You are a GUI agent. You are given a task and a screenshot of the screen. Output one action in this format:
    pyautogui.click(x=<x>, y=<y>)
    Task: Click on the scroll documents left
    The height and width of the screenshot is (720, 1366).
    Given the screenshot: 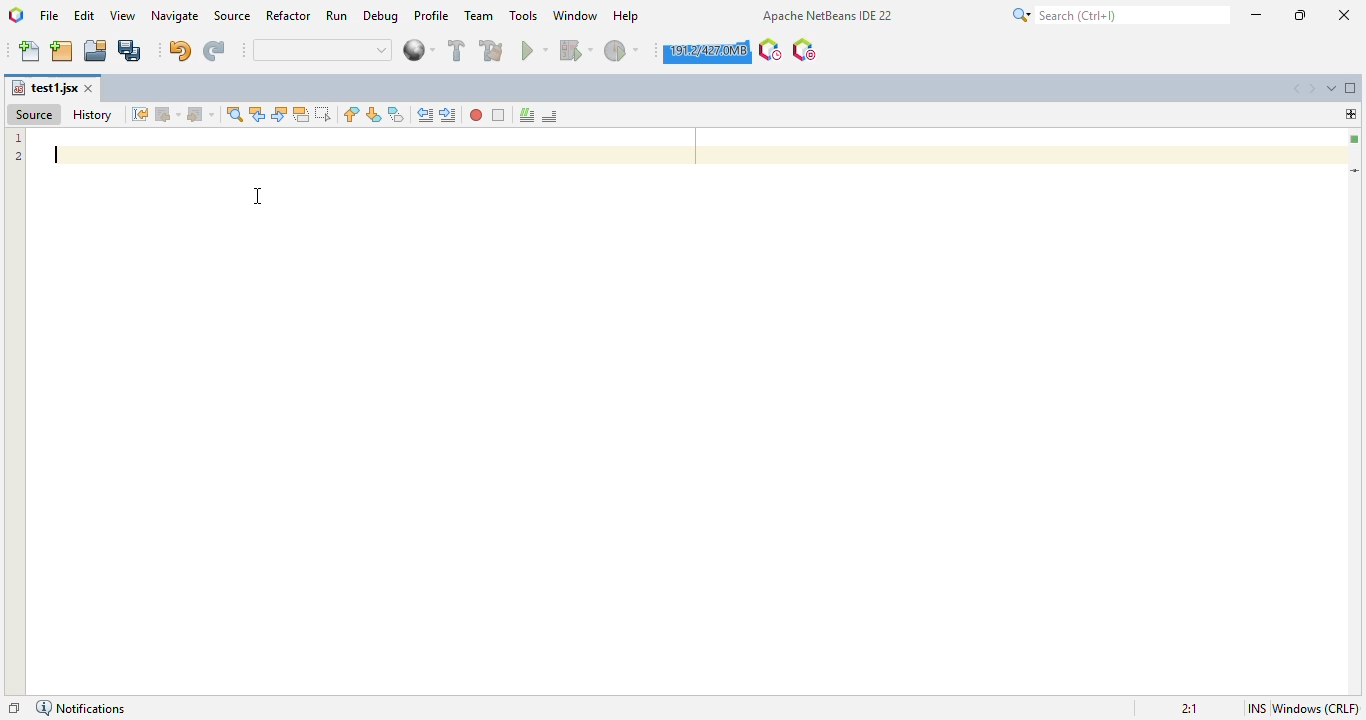 What is the action you would take?
    pyautogui.click(x=1296, y=89)
    